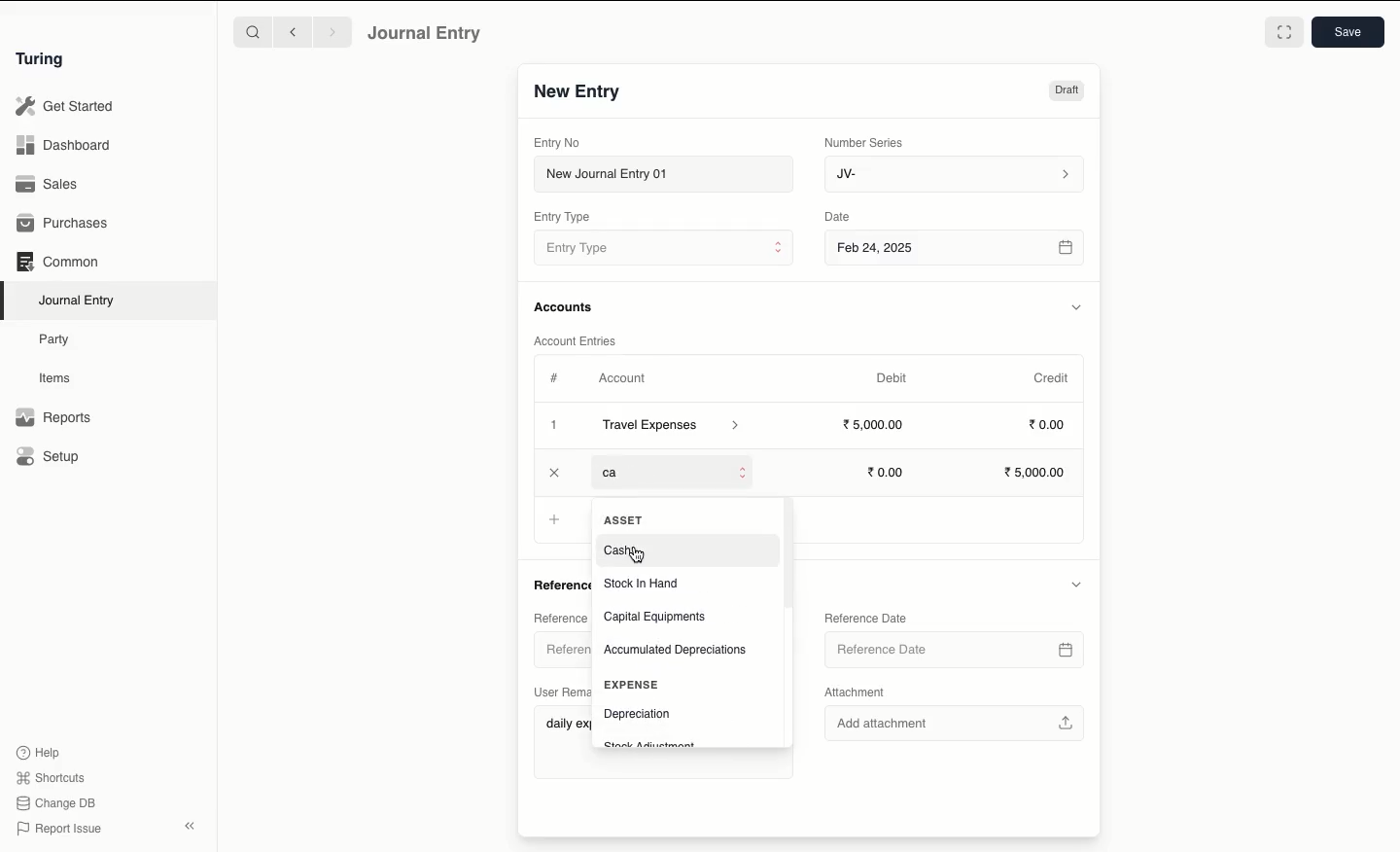 This screenshot has height=852, width=1400. Describe the element at coordinates (1284, 32) in the screenshot. I see `Toggle between form and full width` at that location.